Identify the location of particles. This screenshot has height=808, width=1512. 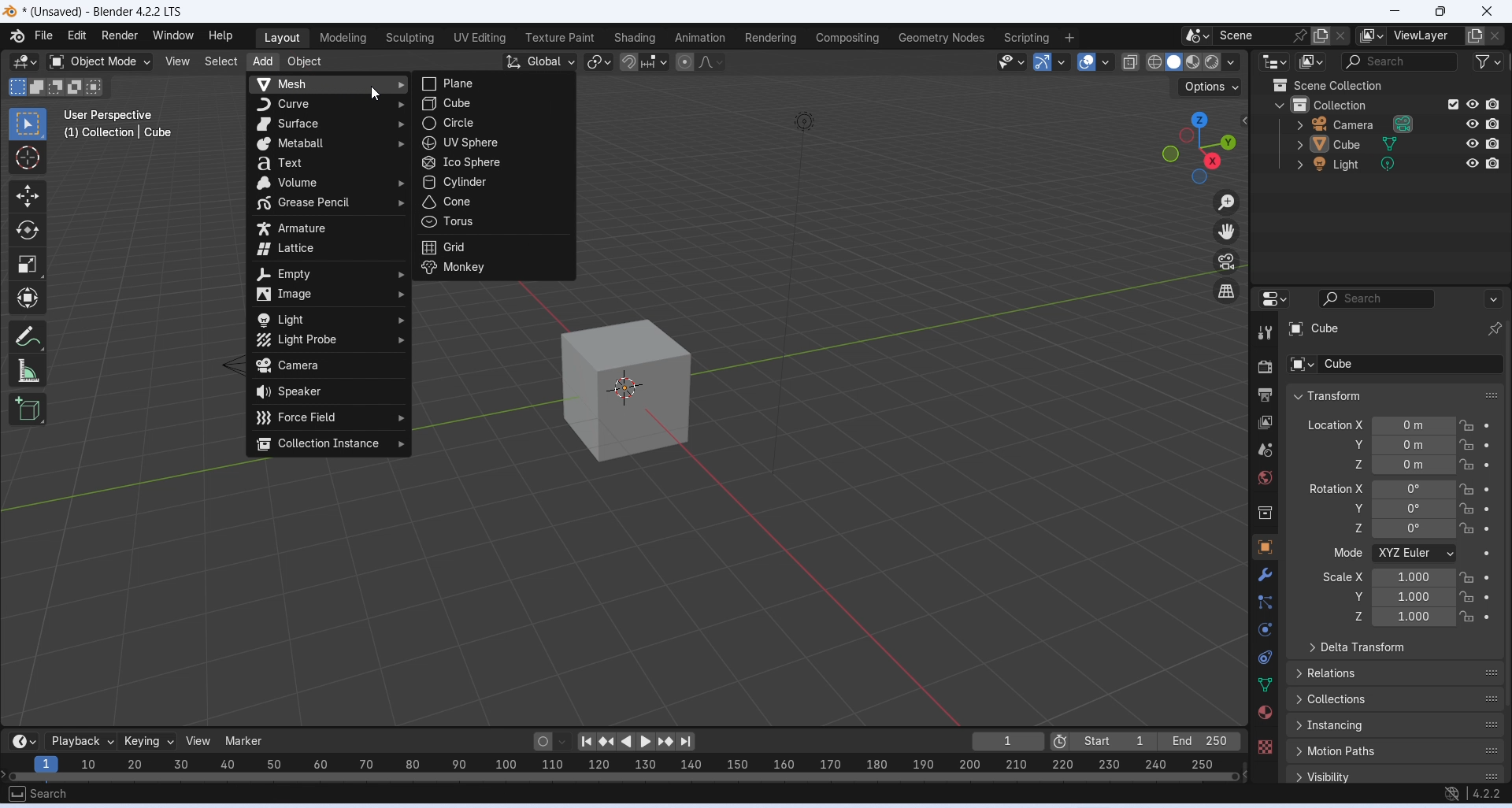
(1267, 602).